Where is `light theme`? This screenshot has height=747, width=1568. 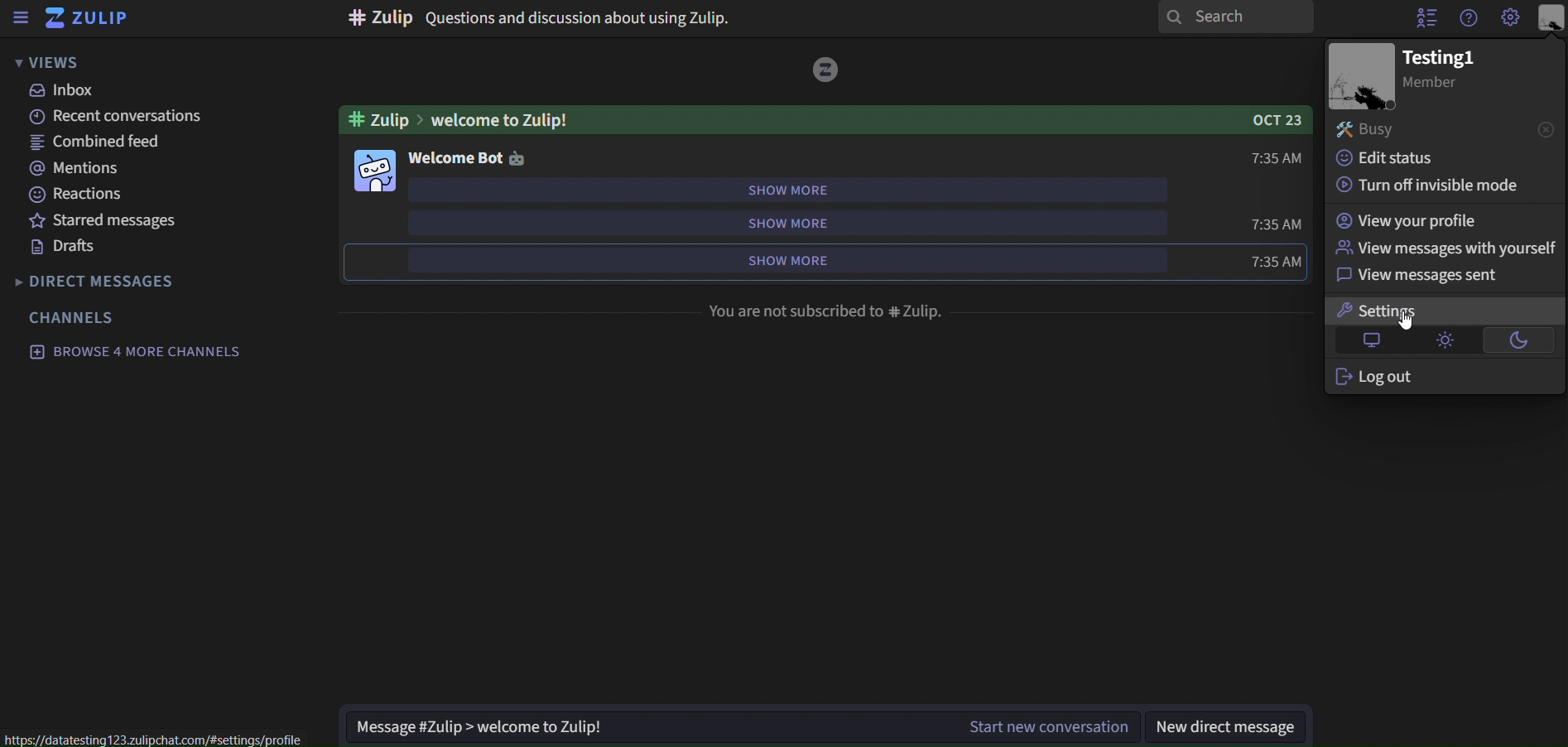 light theme is located at coordinates (1444, 340).